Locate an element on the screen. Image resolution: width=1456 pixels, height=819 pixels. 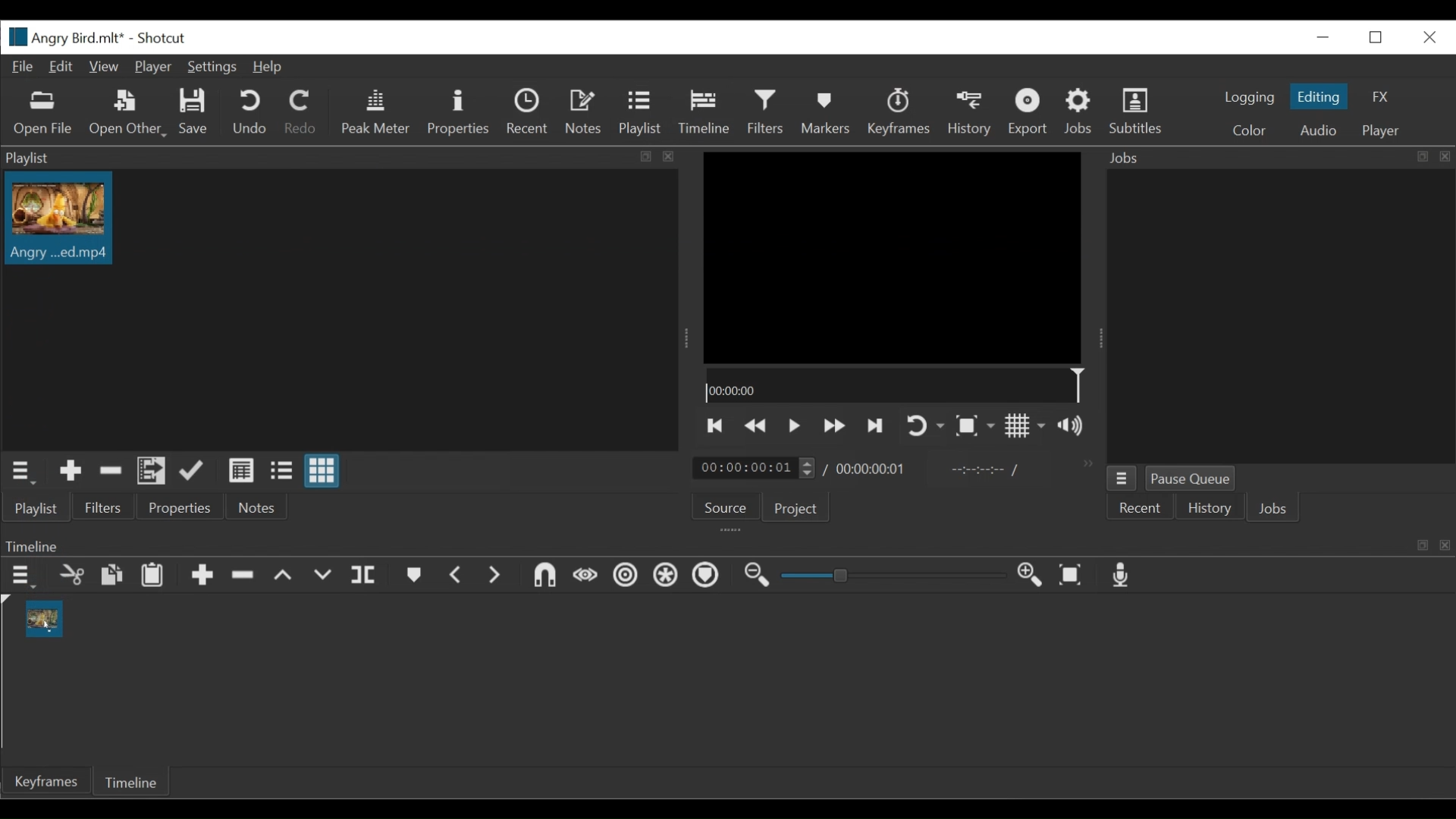
Snap is located at coordinates (541, 576).